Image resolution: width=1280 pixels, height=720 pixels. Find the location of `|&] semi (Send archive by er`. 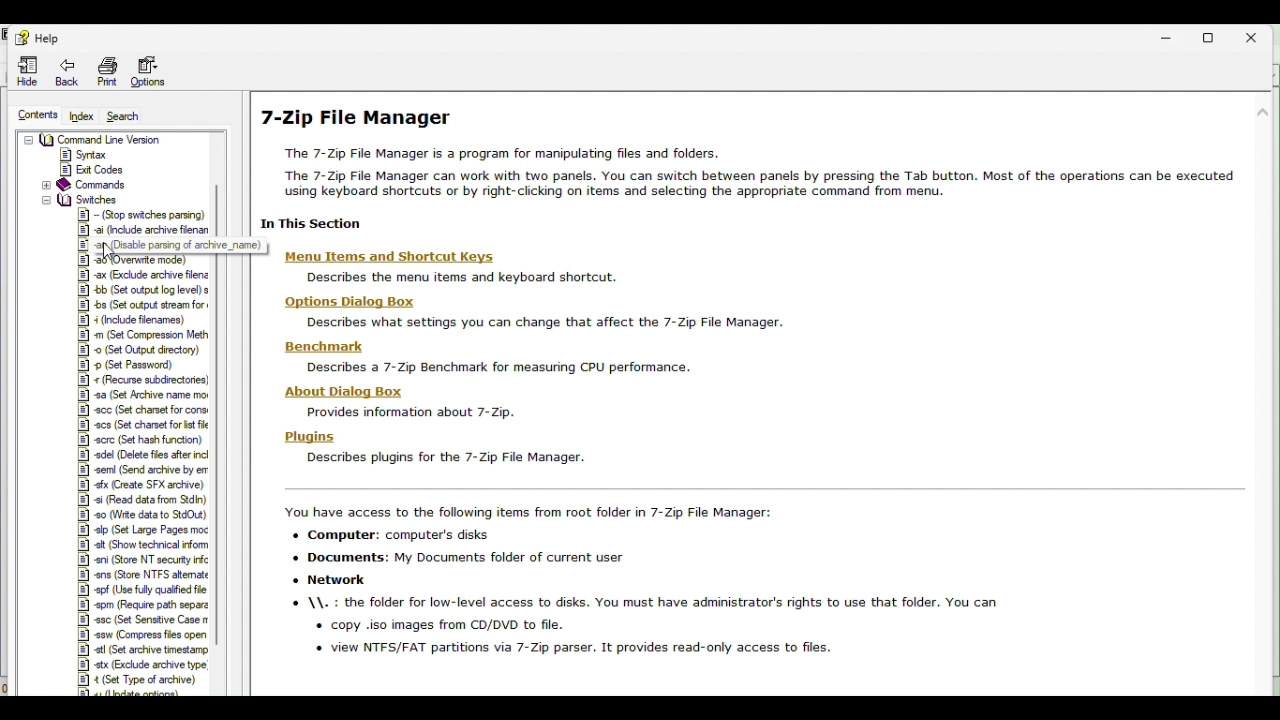

|&] semi (Send archive by er is located at coordinates (137, 470).